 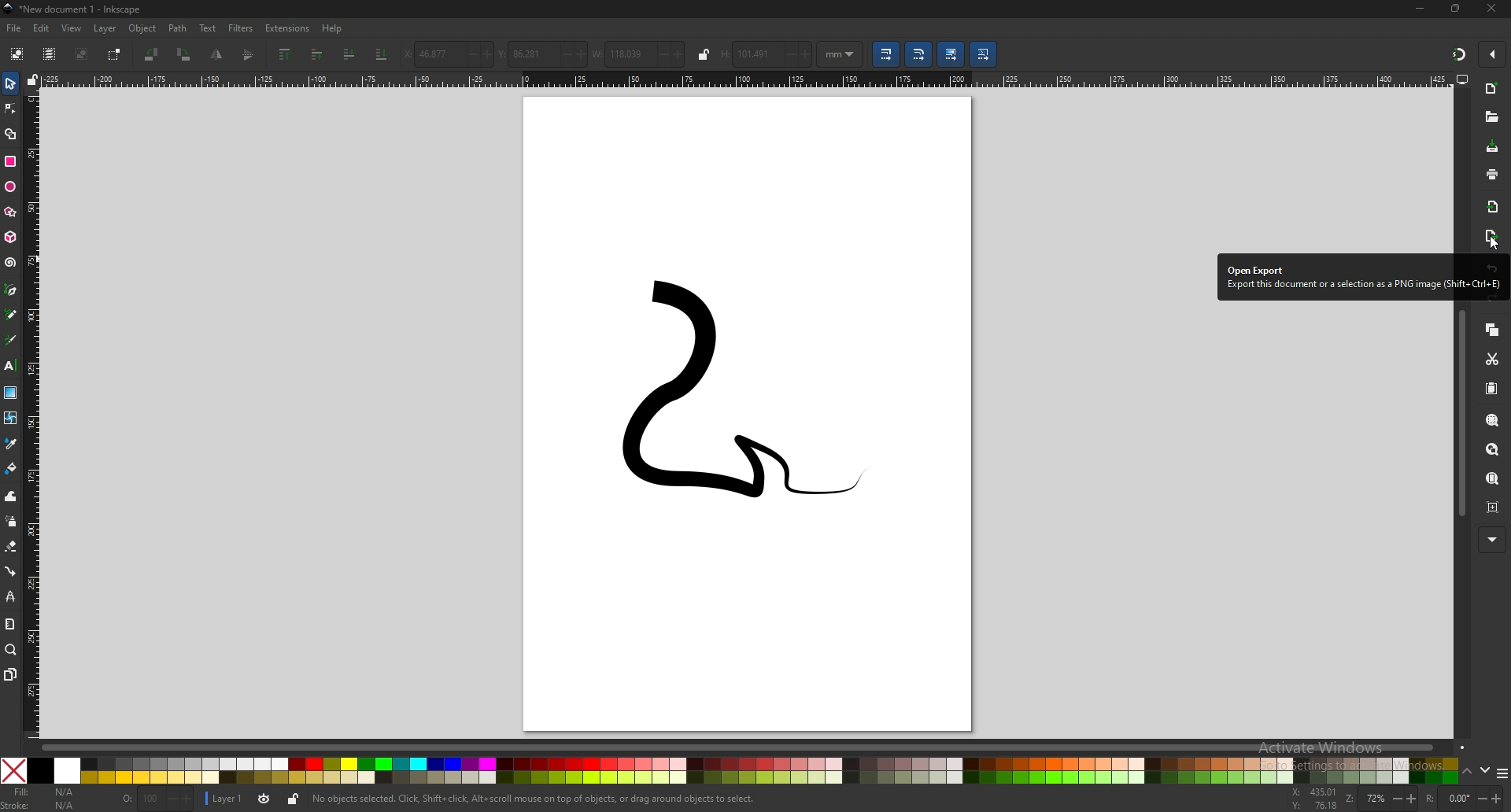 I want to click on pencil, so click(x=12, y=314).